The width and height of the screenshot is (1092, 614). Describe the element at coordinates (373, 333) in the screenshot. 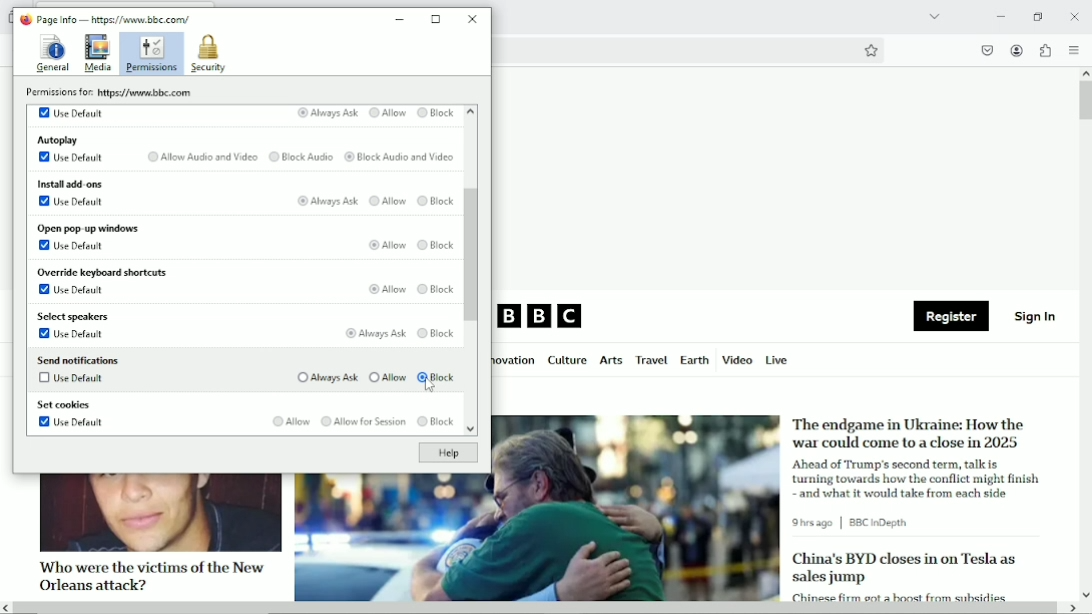

I see `Always ask` at that location.